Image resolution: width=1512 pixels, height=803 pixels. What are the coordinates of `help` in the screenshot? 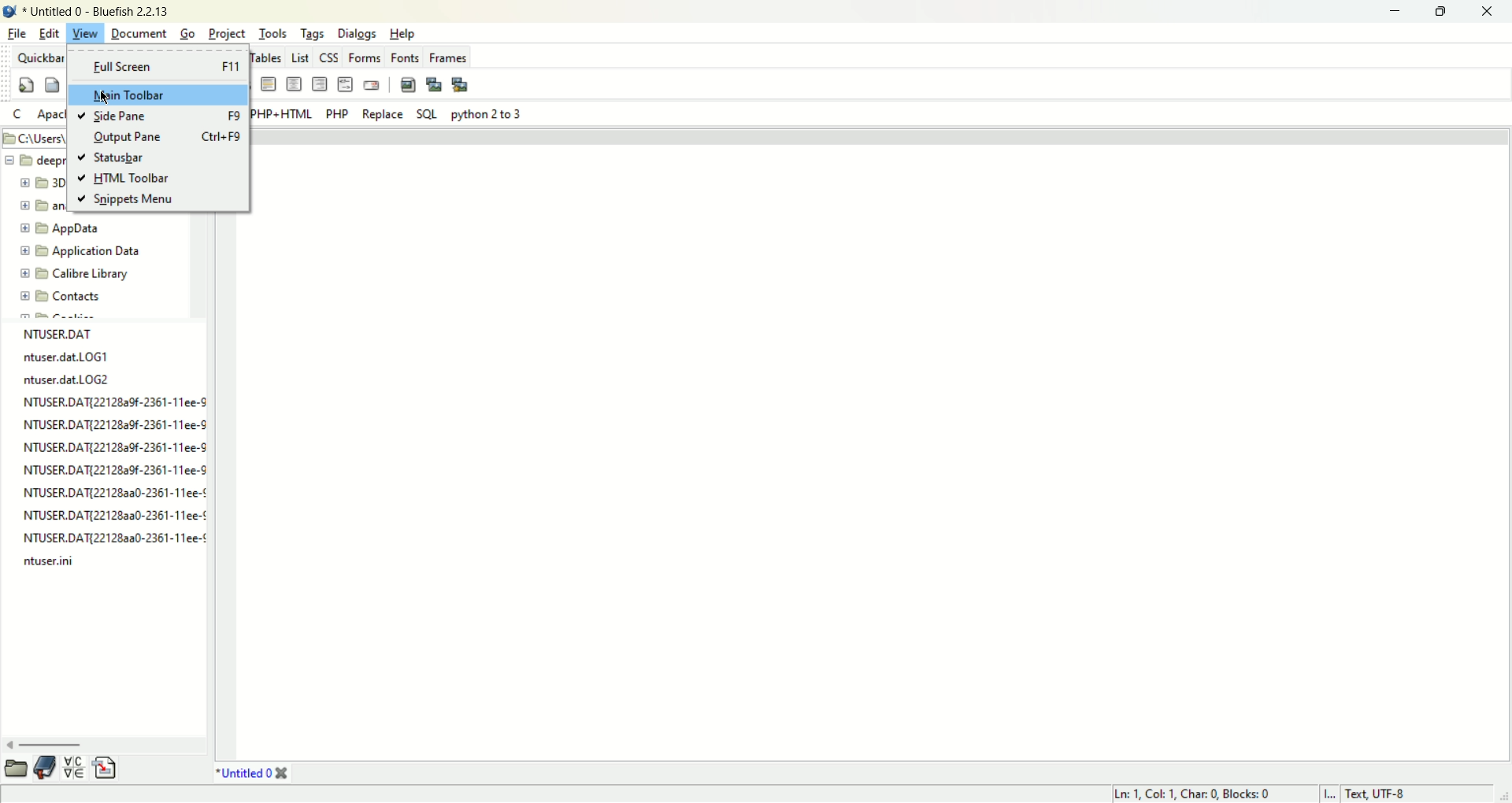 It's located at (402, 33).